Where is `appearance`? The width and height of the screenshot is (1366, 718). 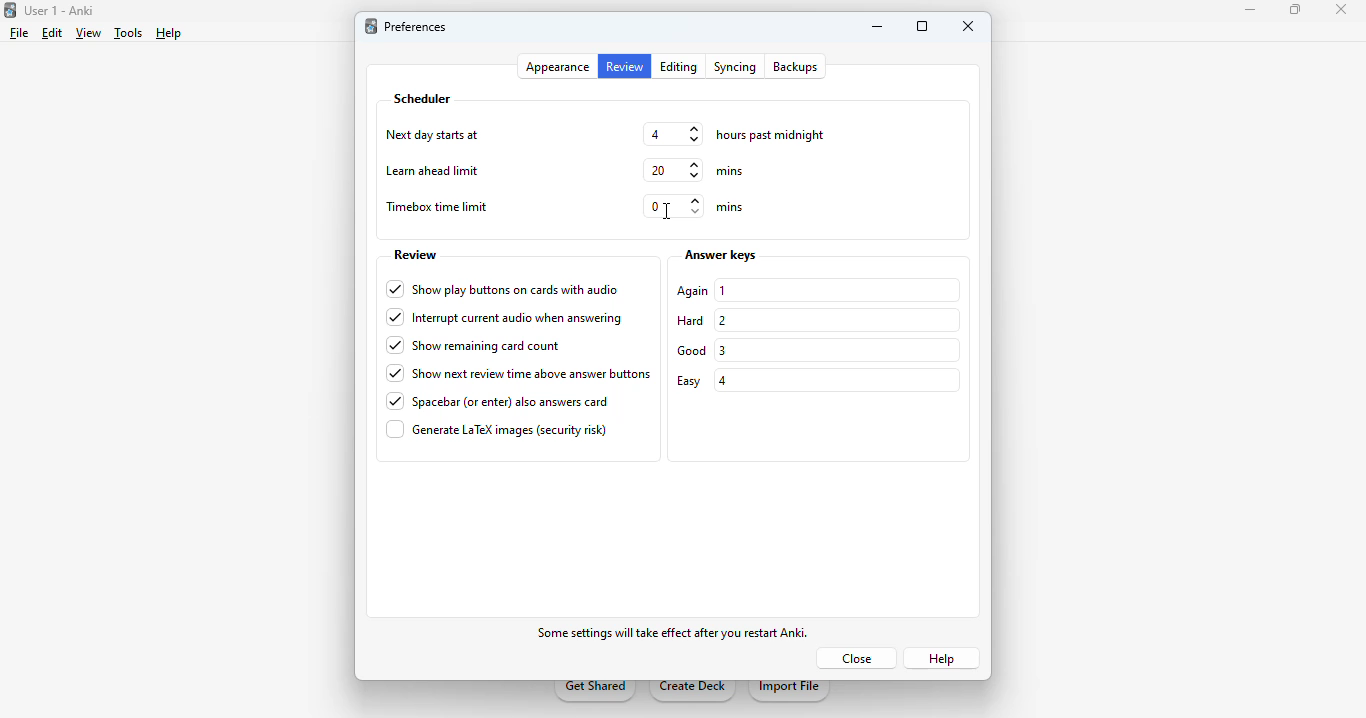 appearance is located at coordinates (558, 67).